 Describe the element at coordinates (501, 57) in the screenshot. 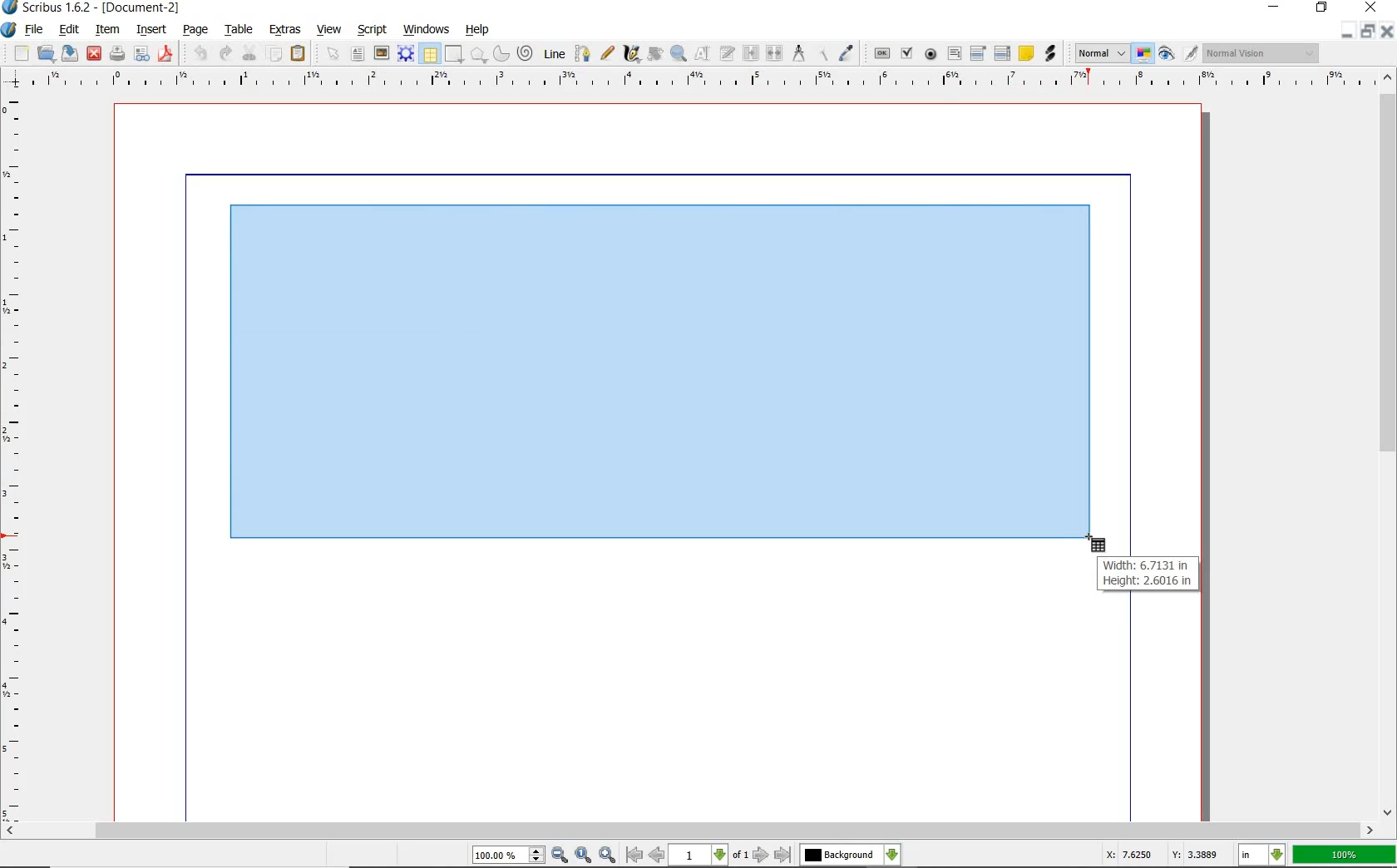

I see `arc` at that location.